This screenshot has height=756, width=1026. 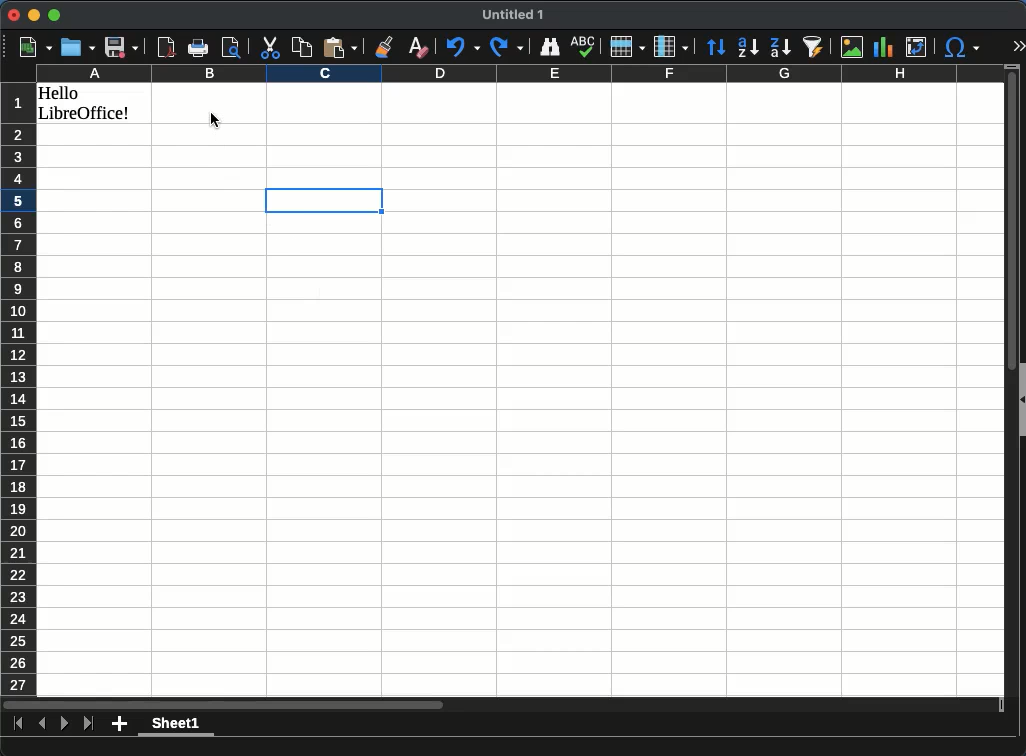 What do you see at coordinates (507, 45) in the screenshot?
I see `redo` at bounding box center [507, 45].